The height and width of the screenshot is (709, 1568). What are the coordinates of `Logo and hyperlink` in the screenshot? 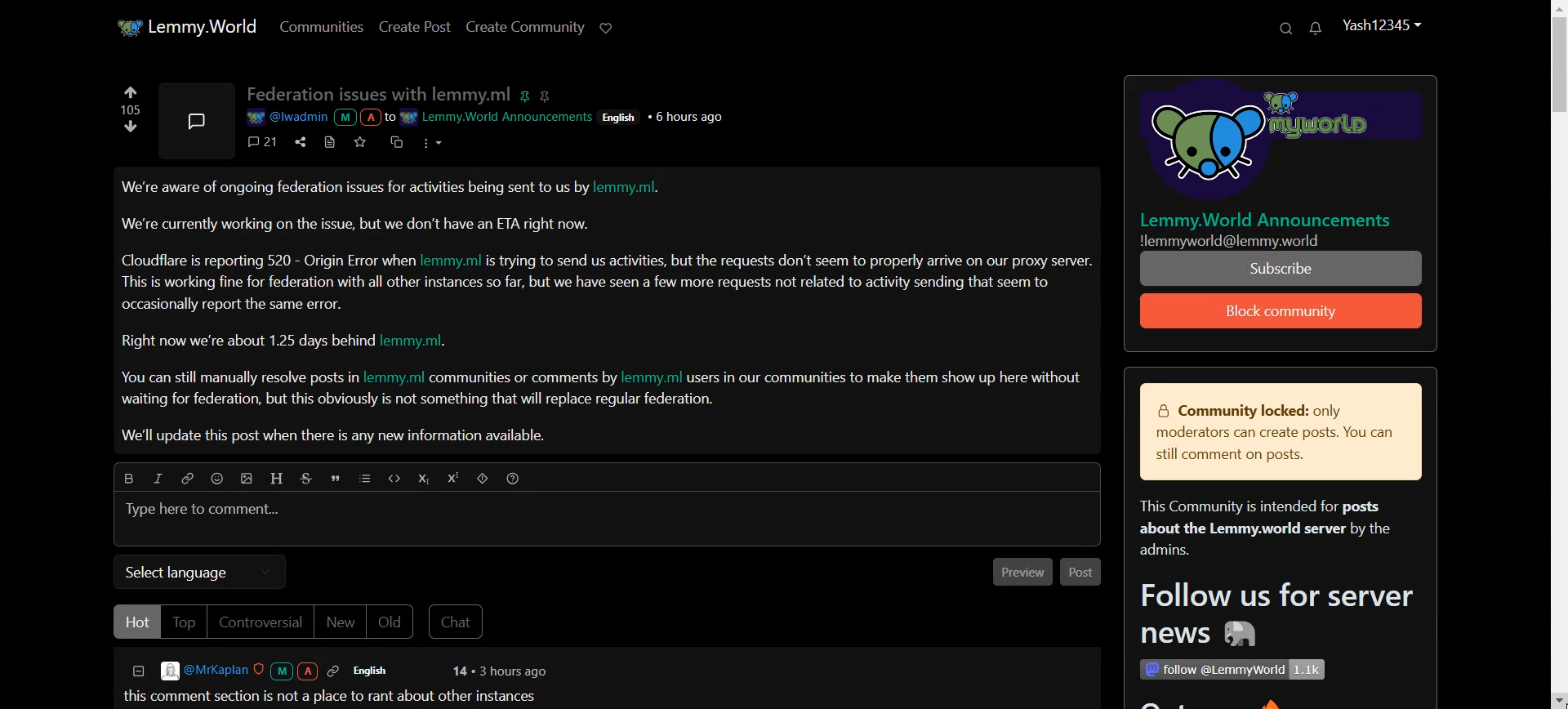 It's located at (1279, 137).